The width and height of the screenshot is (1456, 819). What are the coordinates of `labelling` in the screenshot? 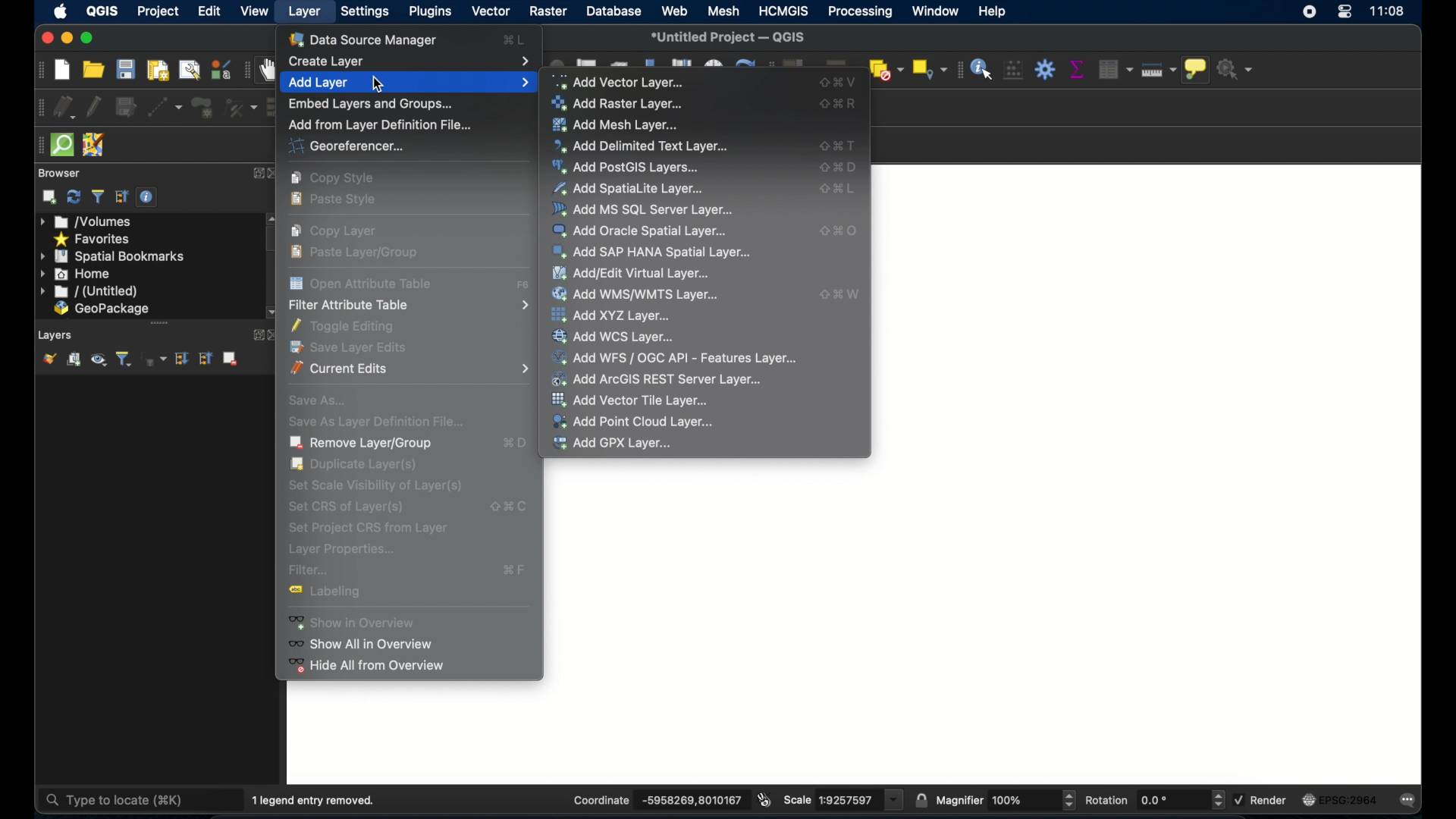 It's located at (334, 594).